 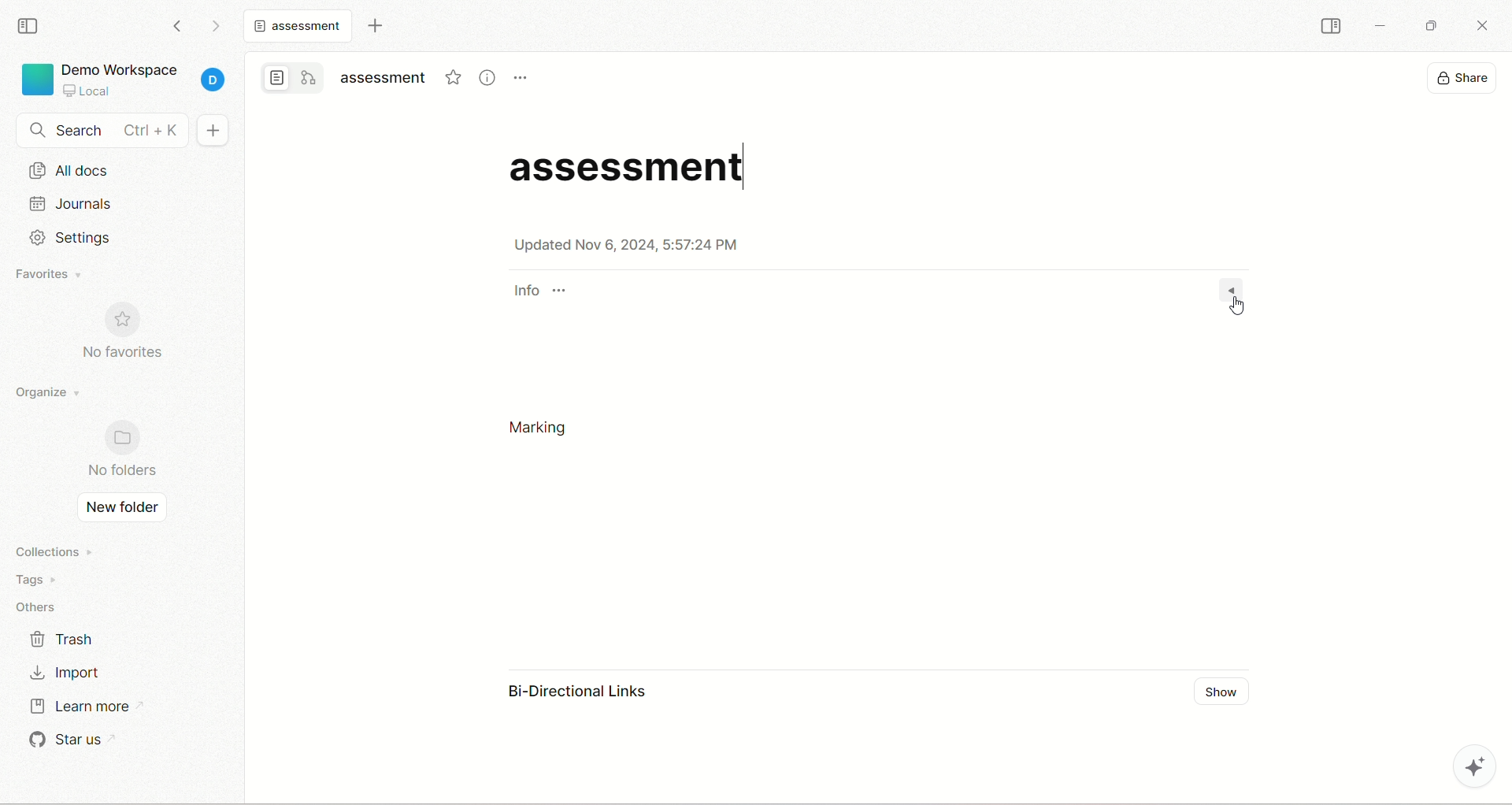 I want to click on all docs, so click(x=124, y=169).